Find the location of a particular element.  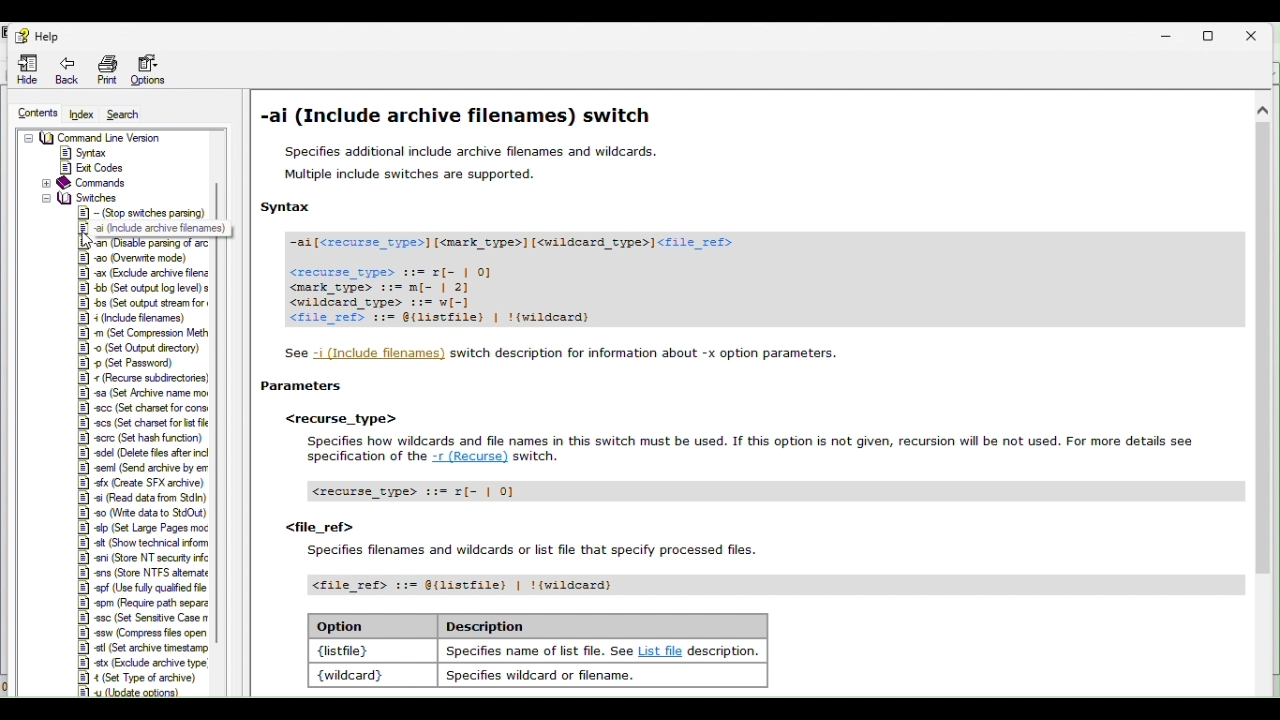

Command Line Version is located at coordinates (98, 137).